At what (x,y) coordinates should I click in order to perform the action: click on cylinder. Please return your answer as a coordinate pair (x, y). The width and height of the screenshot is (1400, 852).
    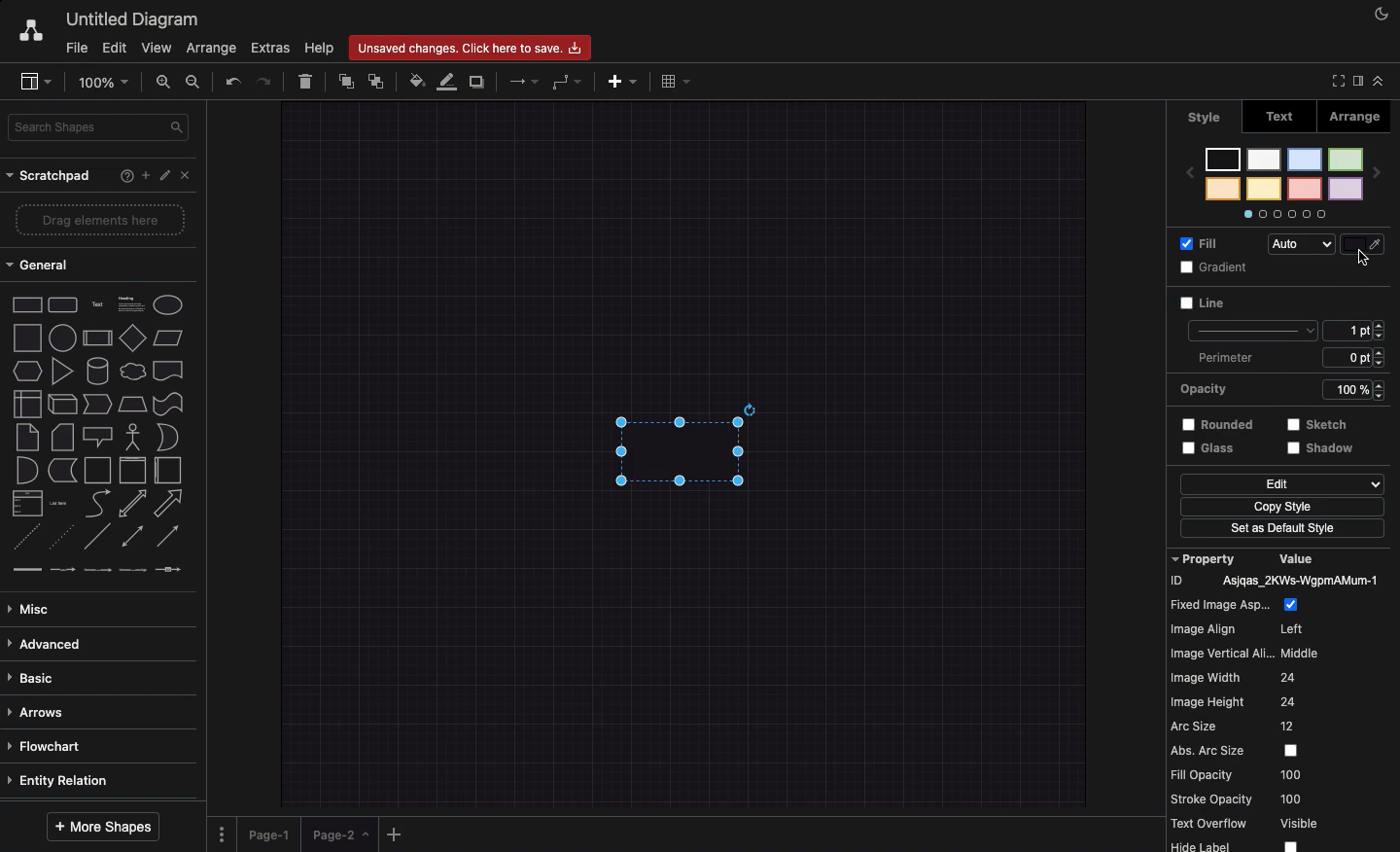
    Looking at the image, I should click on (97, 370).